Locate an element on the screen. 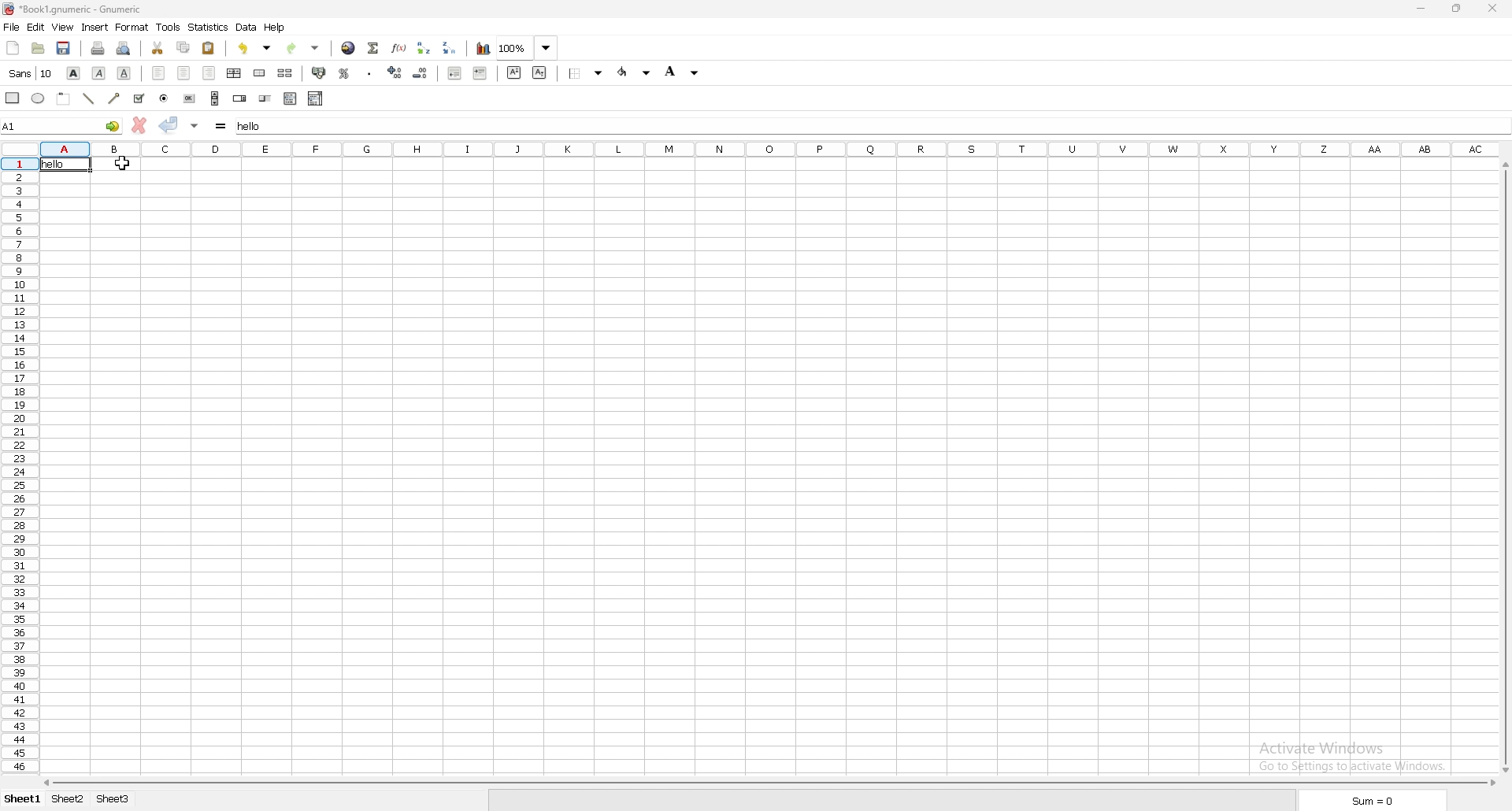 Image resolution: width=1512 pixels, height=811 pixels. sum is located at coordinates (372, 47).